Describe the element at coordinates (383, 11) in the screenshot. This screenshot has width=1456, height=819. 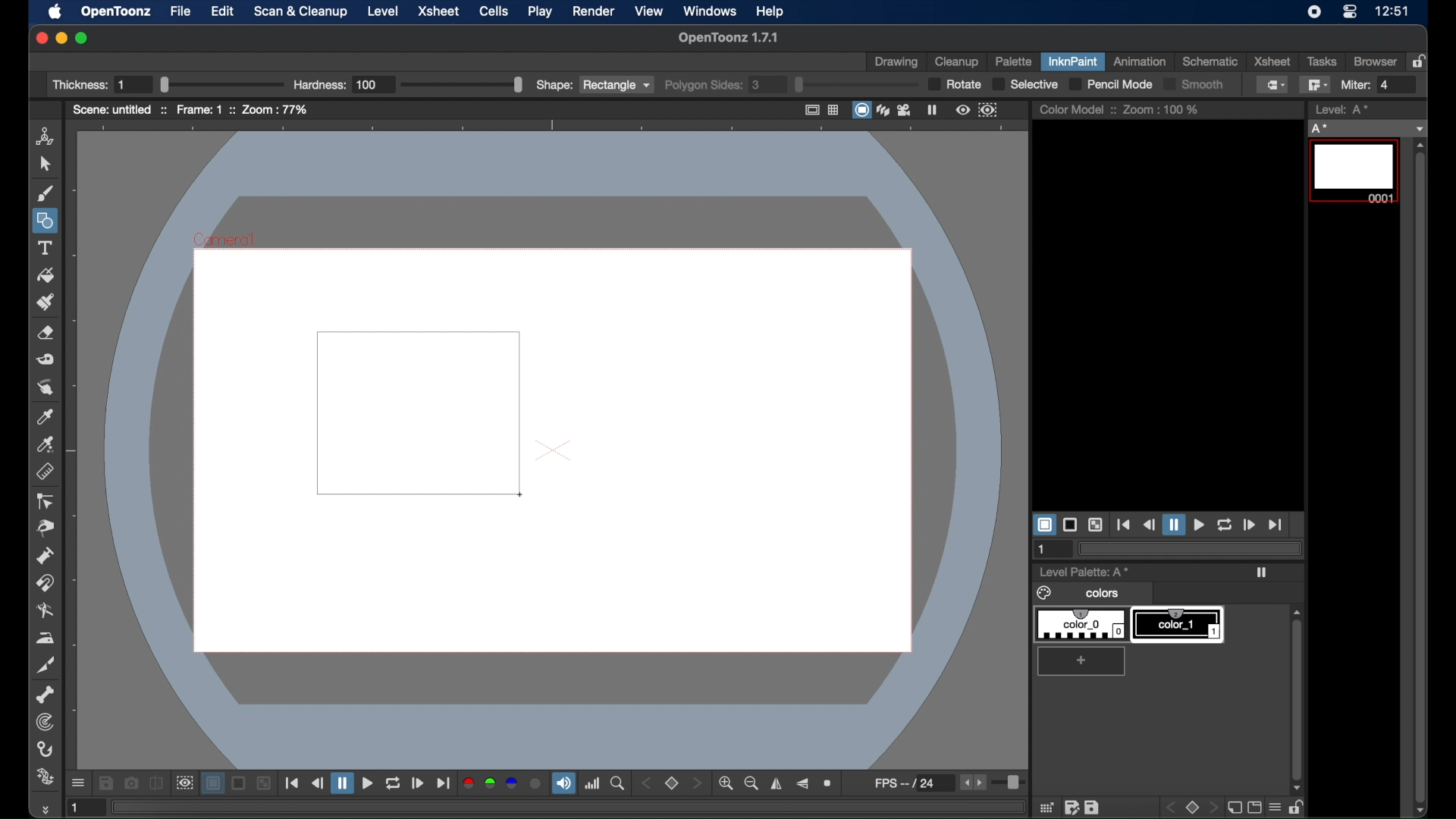
I see `level` at that location.